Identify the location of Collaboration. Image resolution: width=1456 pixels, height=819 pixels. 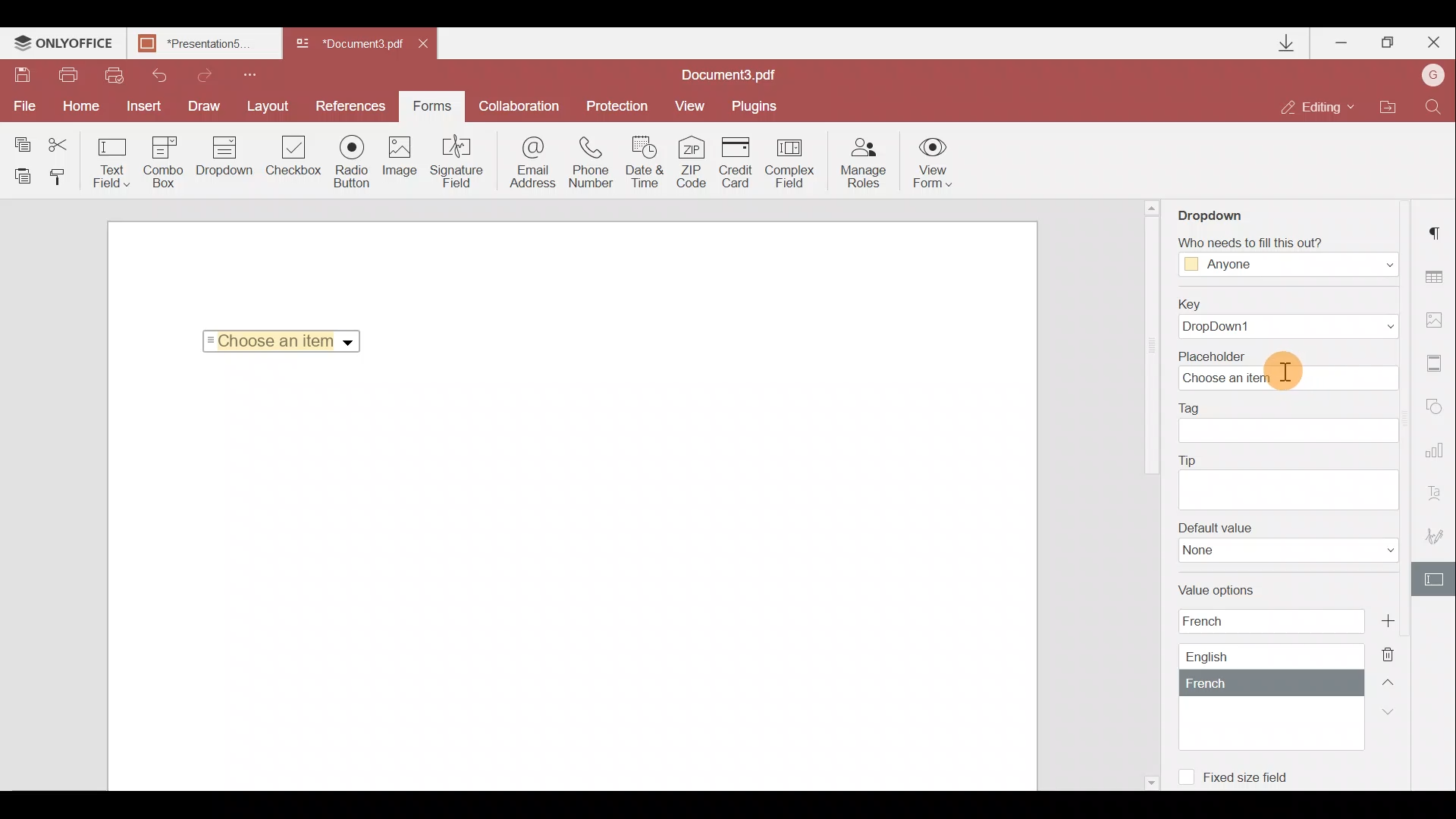
(518, 106).